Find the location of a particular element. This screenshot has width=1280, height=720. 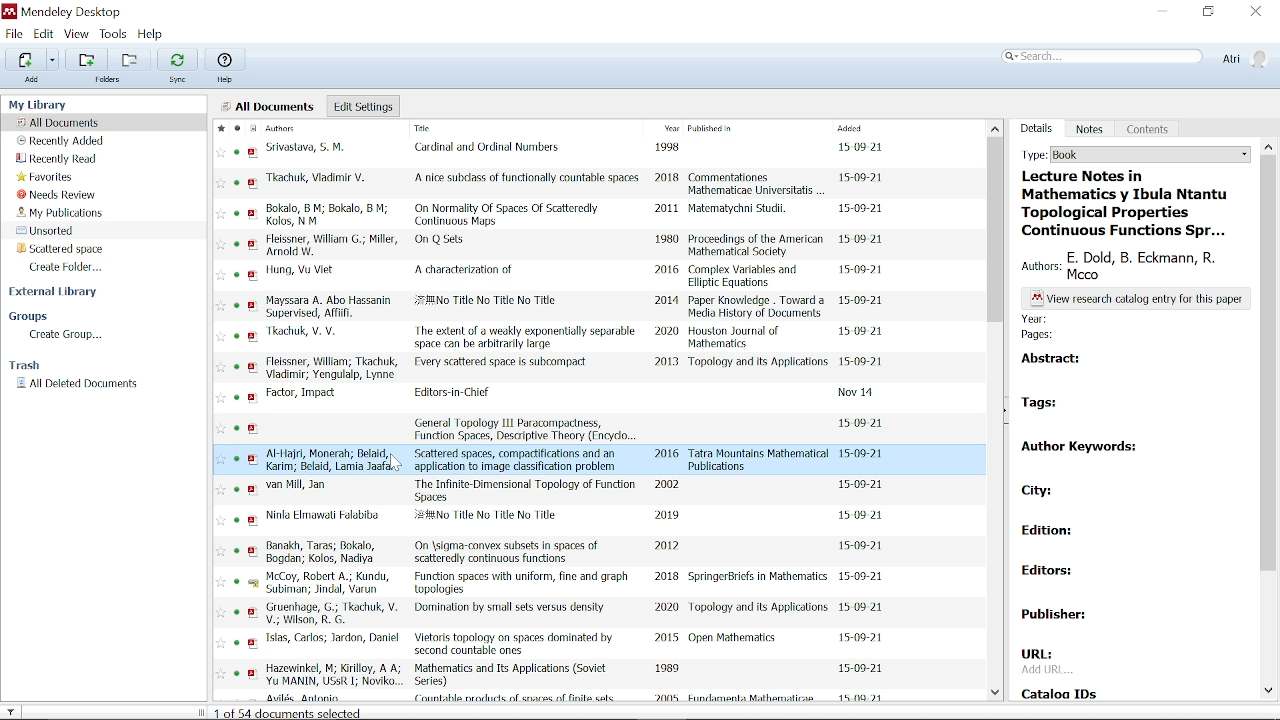

authors is located at coordinates (334, 614).